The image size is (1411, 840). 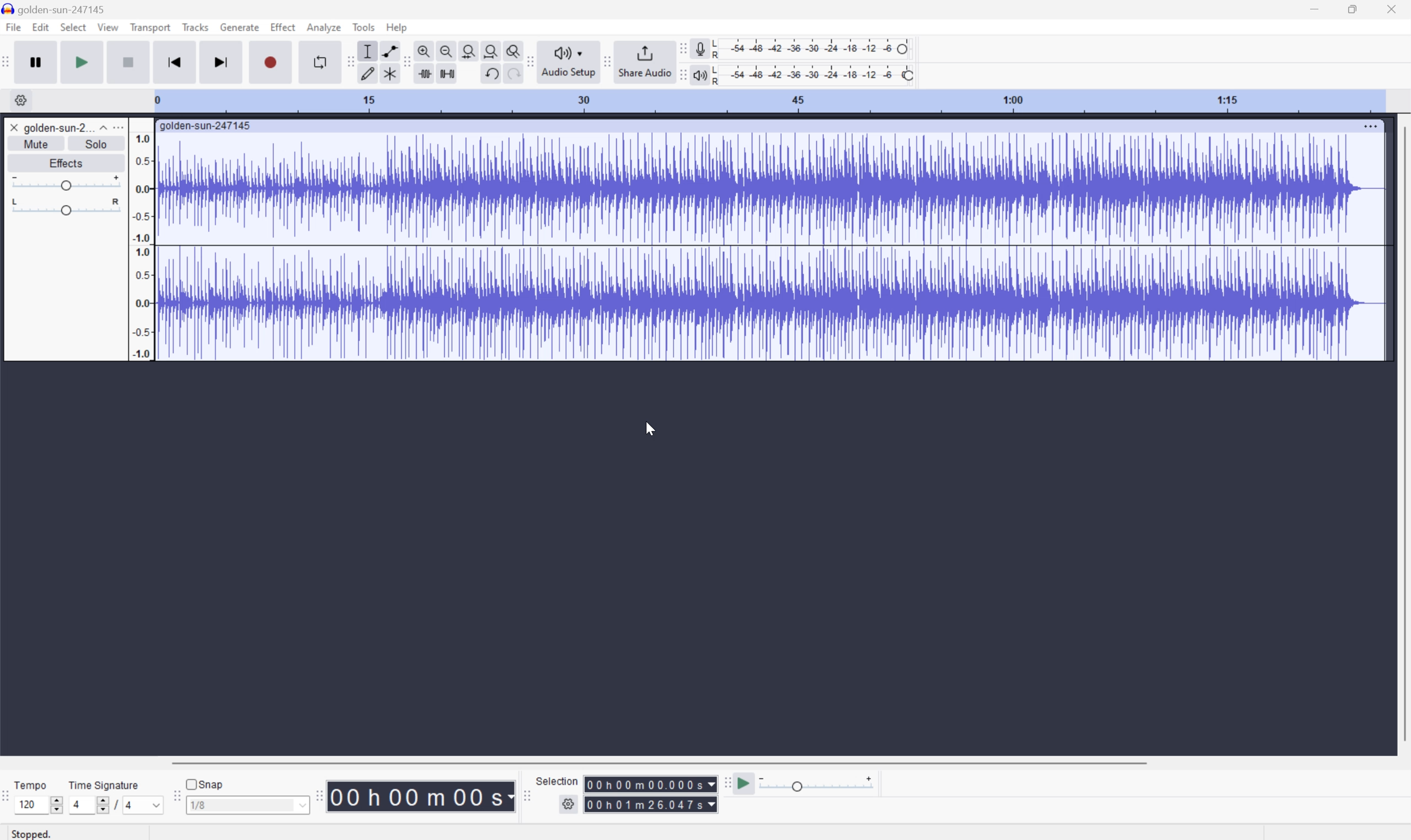 What do you see at coordinates (700, 48) in the screenshot?
I see `Record meter` at bounding box center [700, 48].